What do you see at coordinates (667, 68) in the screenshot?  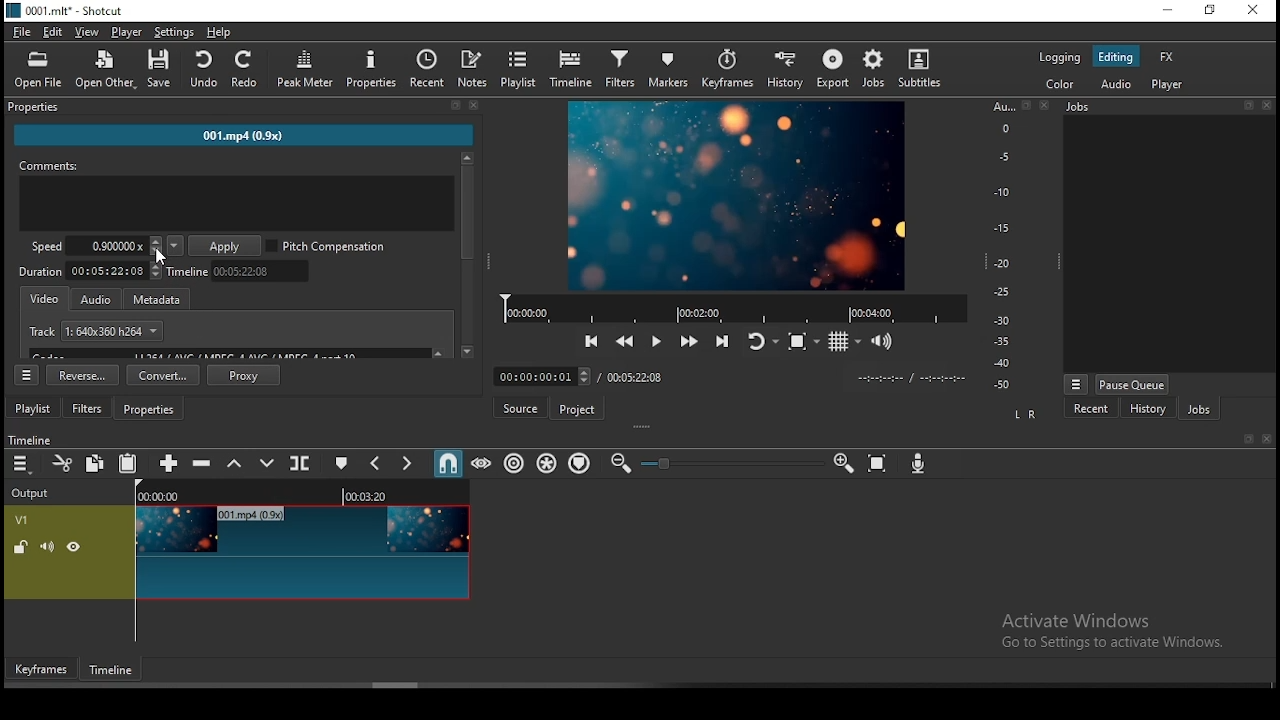 I see `markers` at bounding box center [667, 68].